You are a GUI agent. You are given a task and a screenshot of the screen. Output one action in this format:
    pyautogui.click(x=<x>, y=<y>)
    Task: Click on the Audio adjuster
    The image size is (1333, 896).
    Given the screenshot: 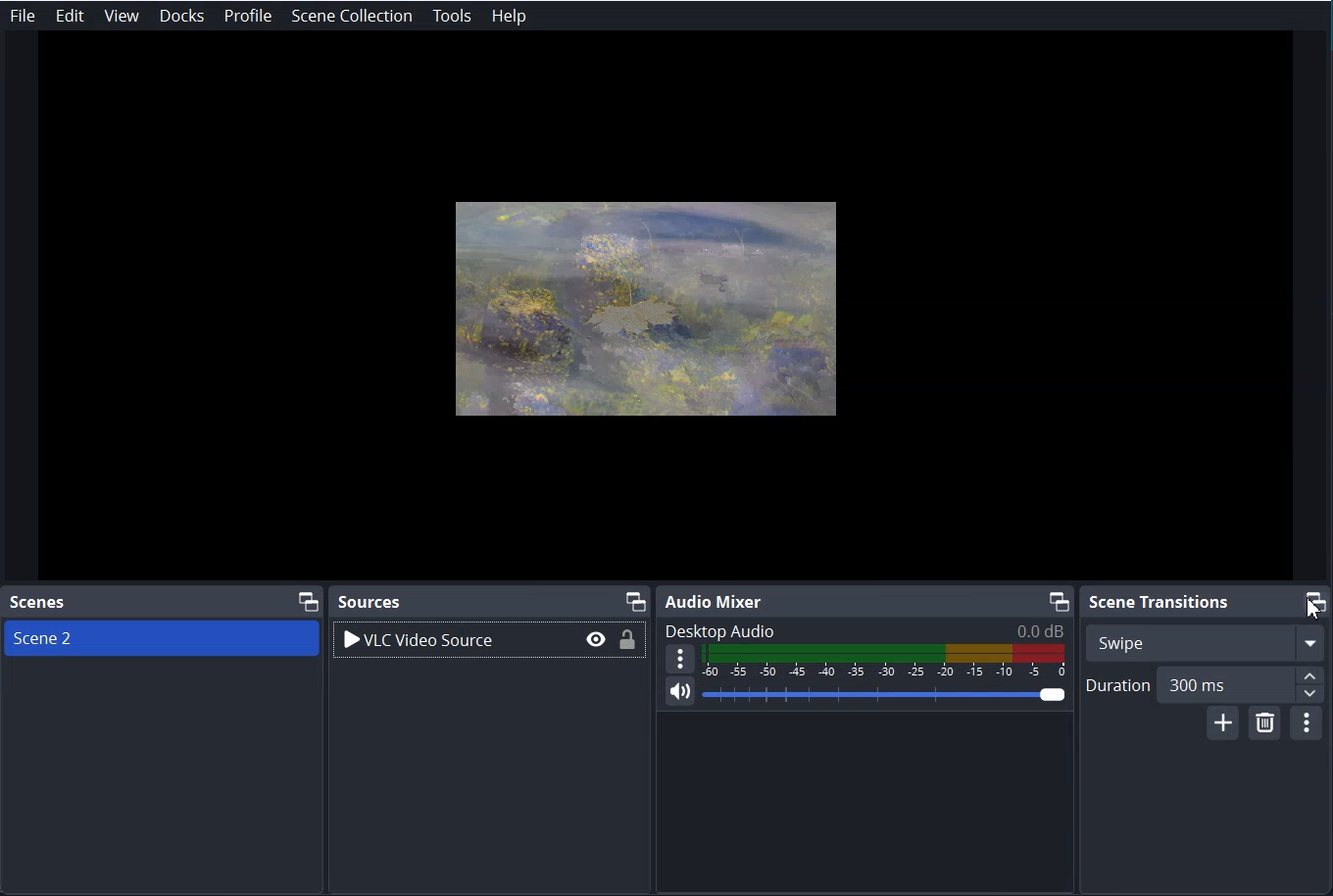 What is the action you would take?
    pyautogui.click(x=844, y=659)
    